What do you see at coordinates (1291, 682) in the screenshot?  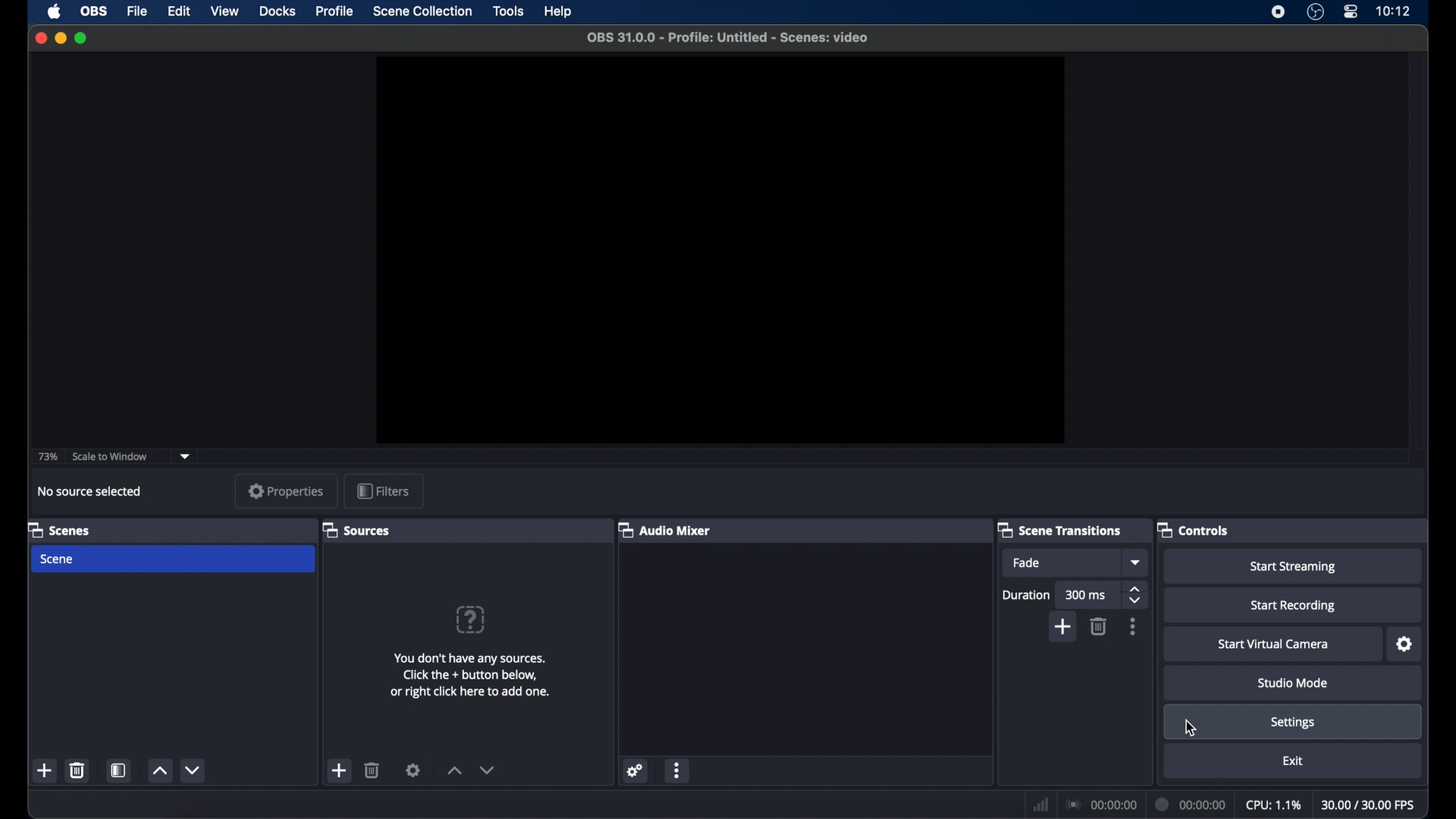 I see `studio mode` at bounding box center [1291, 682].